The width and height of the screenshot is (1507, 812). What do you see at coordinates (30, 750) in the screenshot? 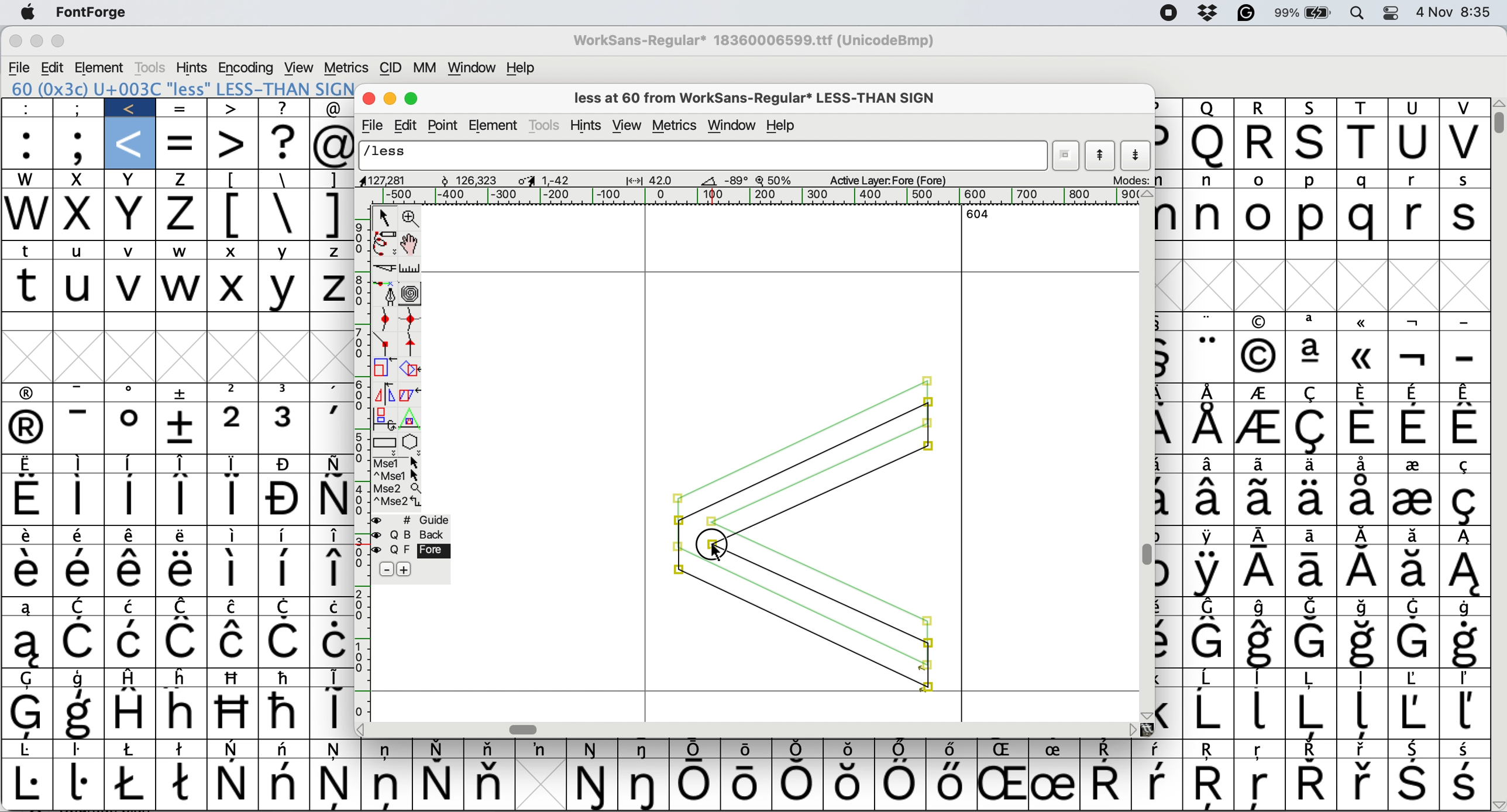
I see `Symbol` at bounding box center [30, 750].